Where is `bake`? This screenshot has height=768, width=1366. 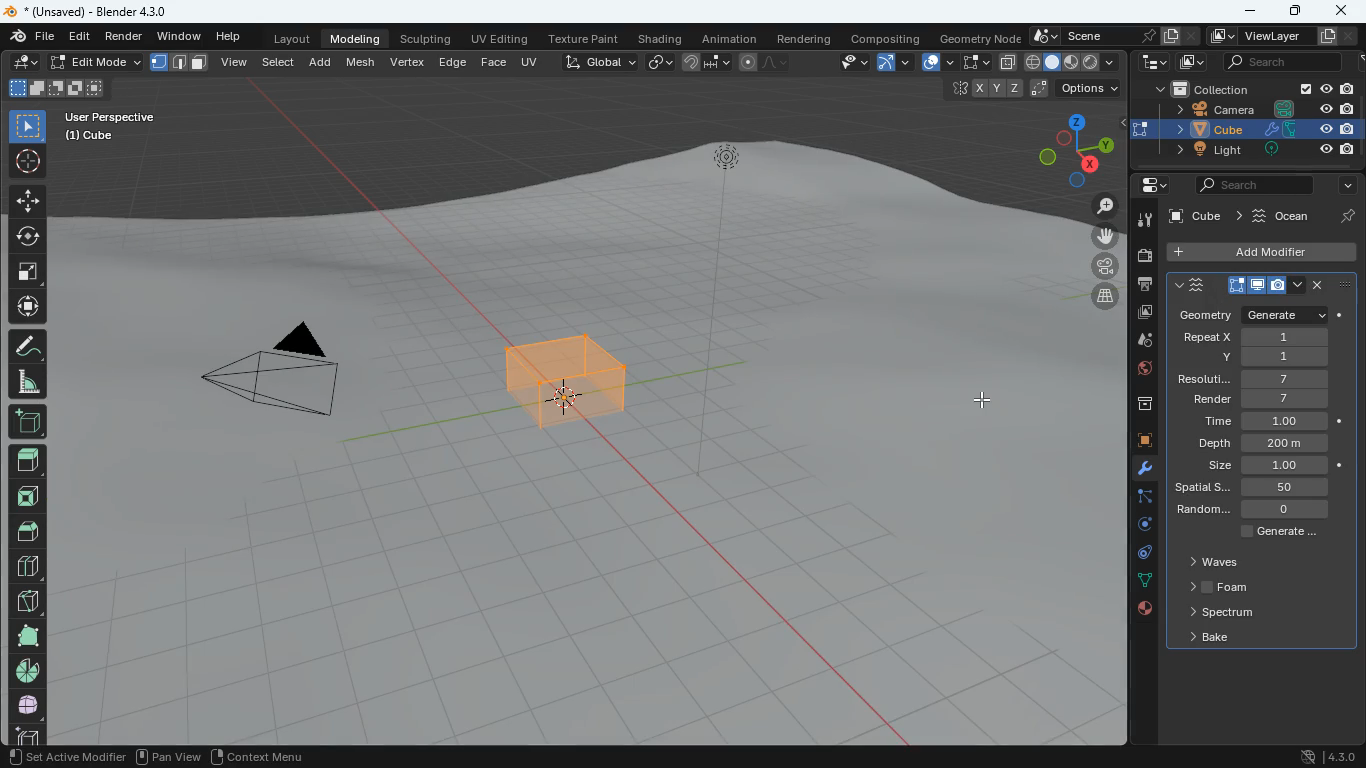 bake is located at coordinates (1217, 639).